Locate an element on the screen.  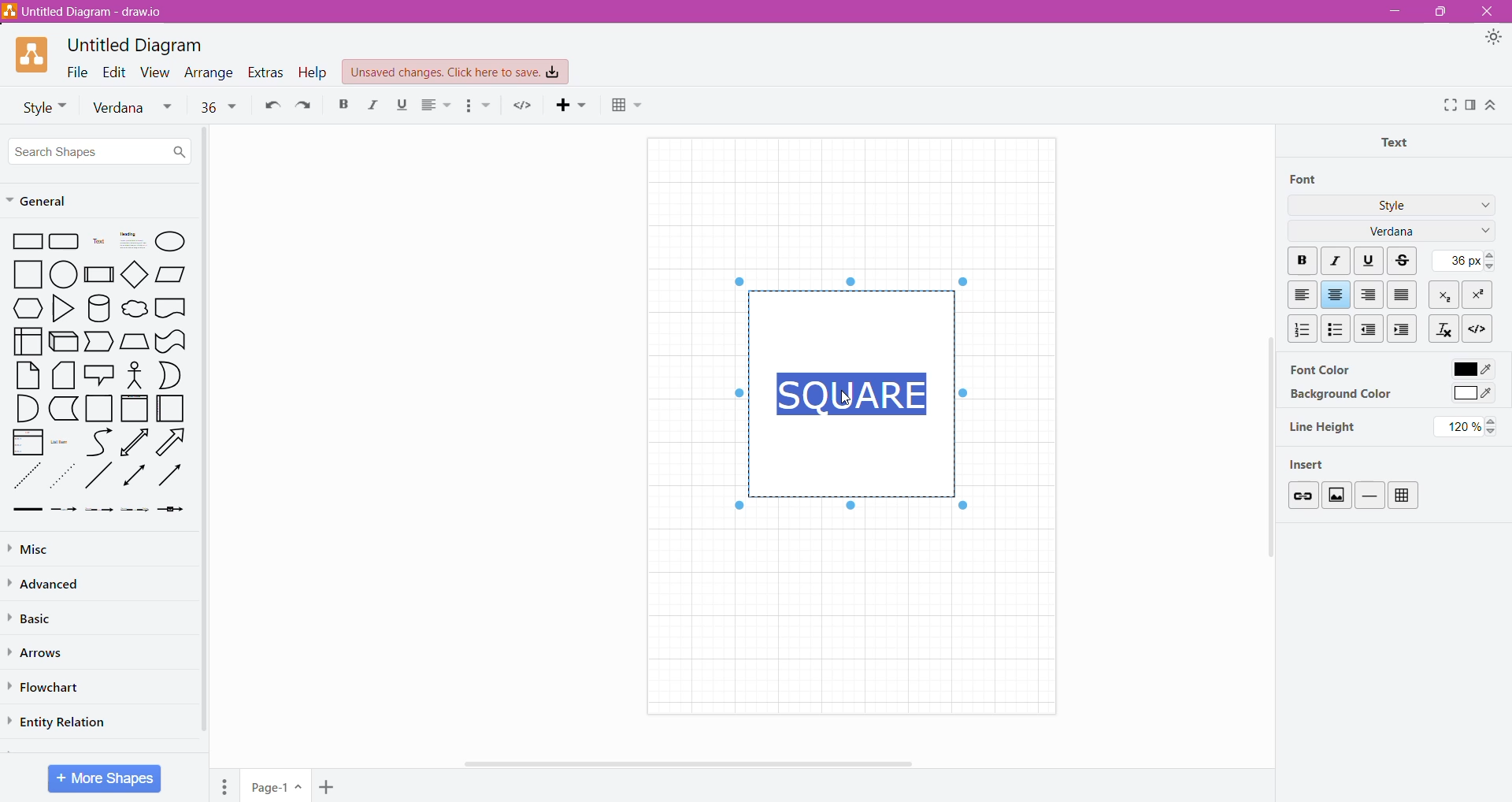
Half Circle  is located at coordinates (171, 375).